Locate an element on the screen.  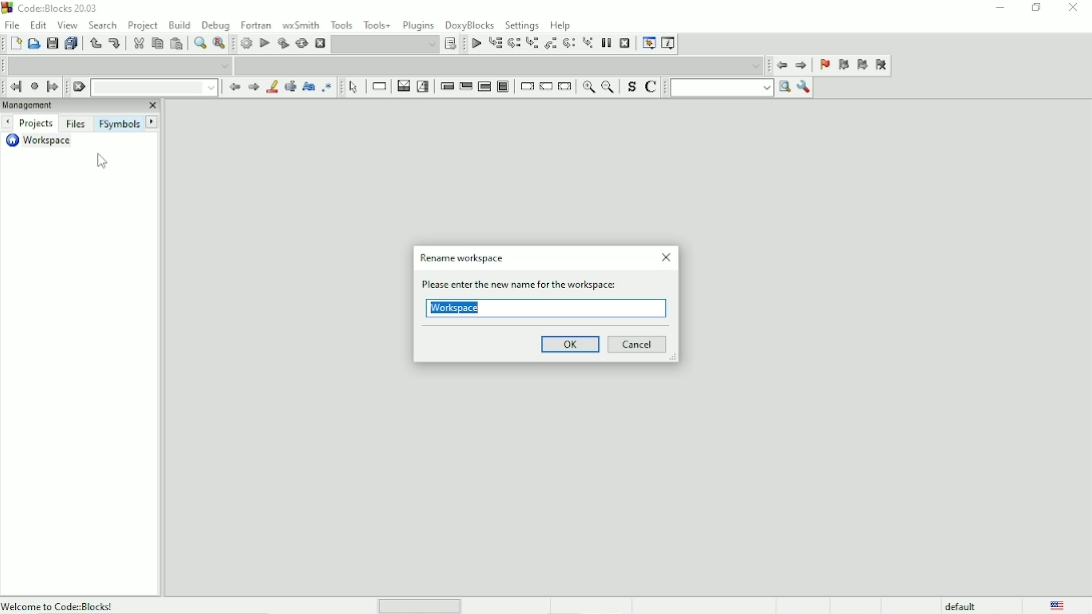
Toggle bookmark is located at coordinates (823, 66).